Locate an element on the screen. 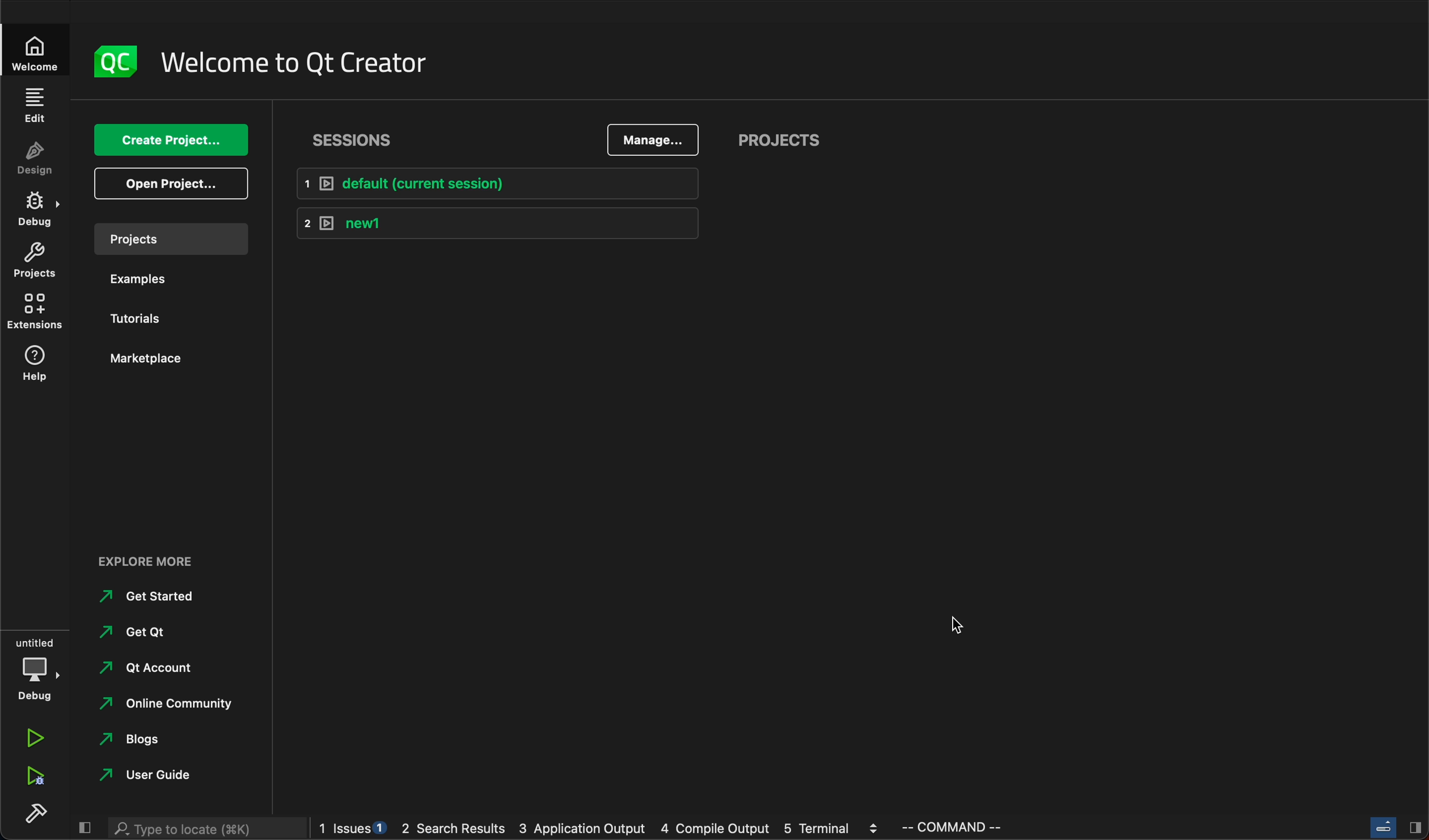 The image size is (1429, 840). debug is located at coordinates (35, 208).